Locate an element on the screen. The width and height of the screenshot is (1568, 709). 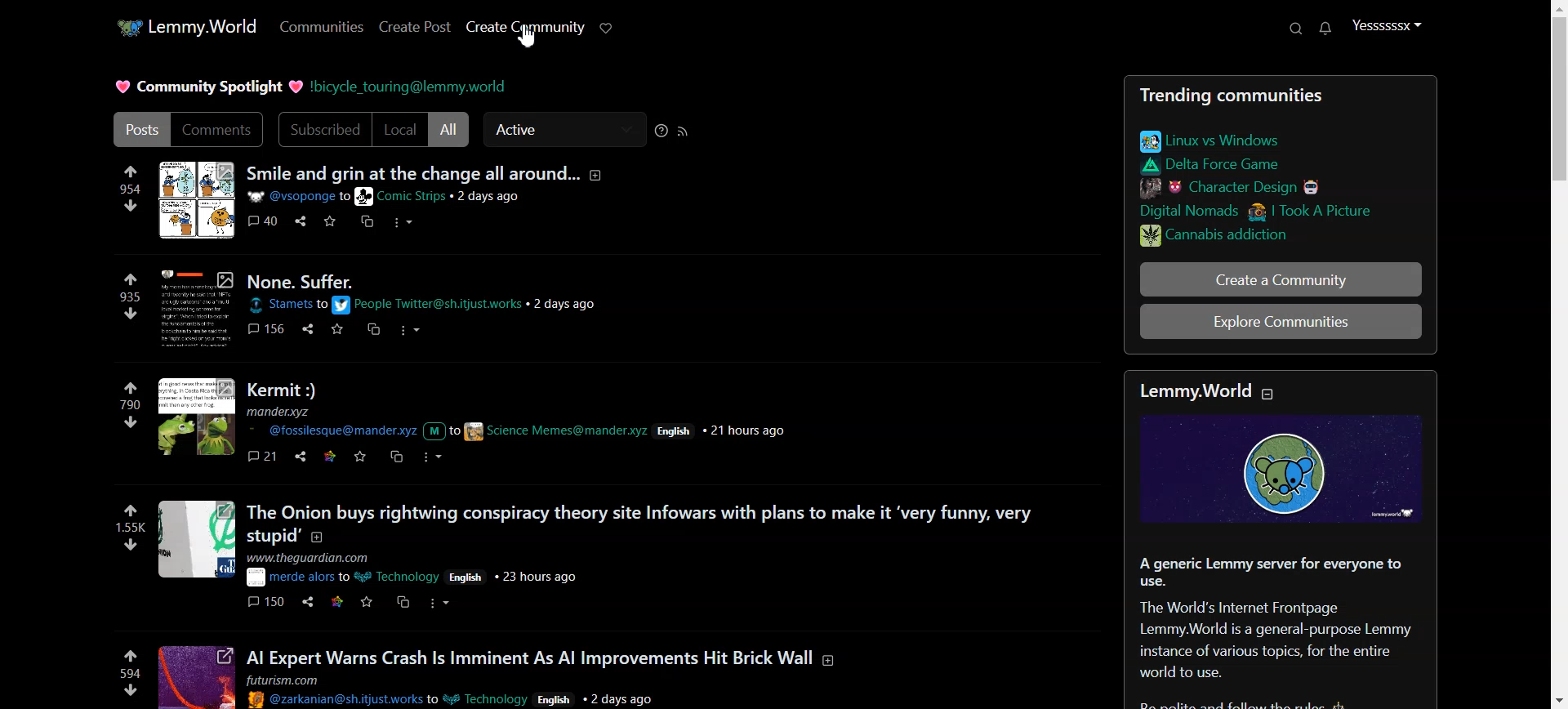
save is located at coordinates (367, 601).